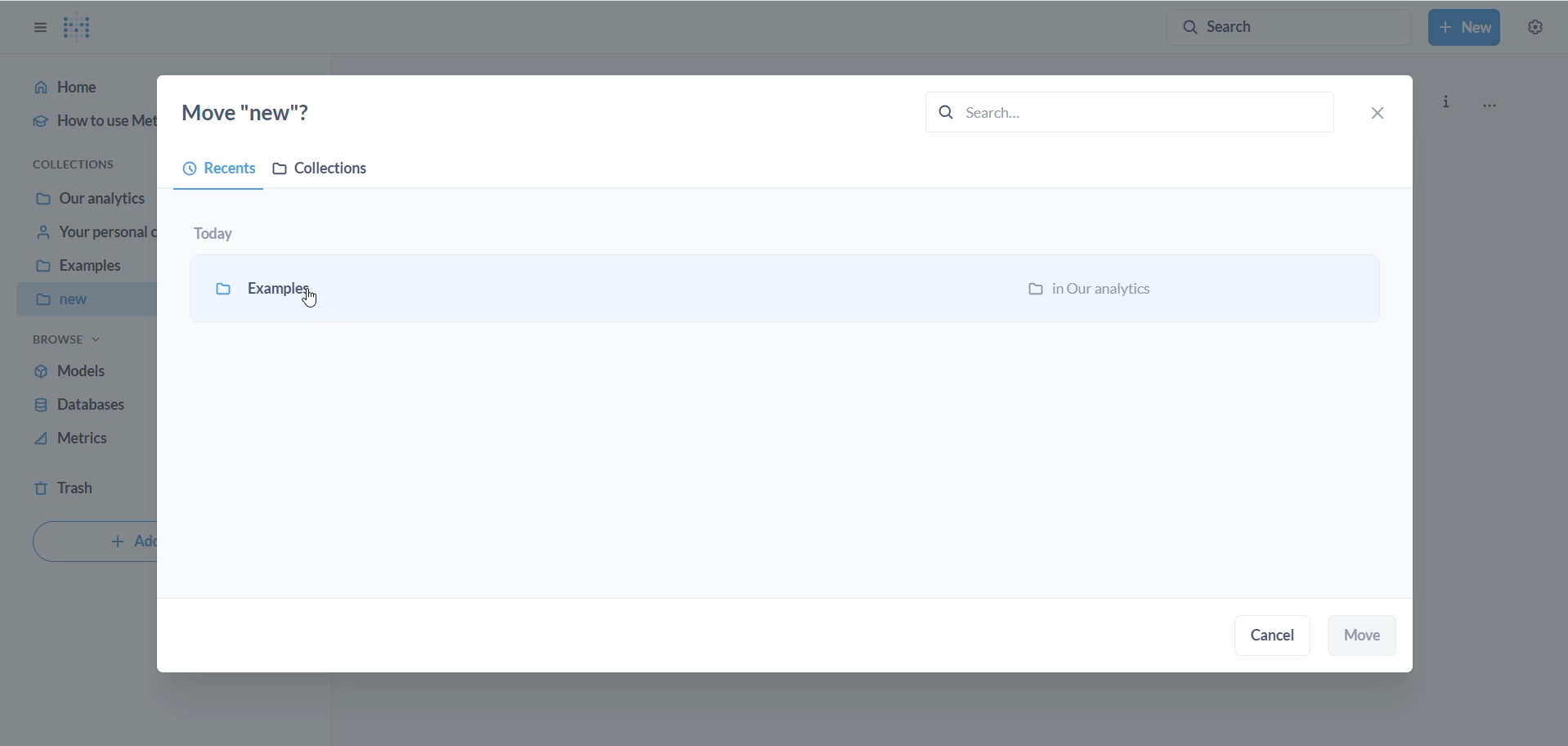 The height and width of the screenshot is (746, 1568). I want to click on SEARCH  BUTTON, so click(1289, 26).